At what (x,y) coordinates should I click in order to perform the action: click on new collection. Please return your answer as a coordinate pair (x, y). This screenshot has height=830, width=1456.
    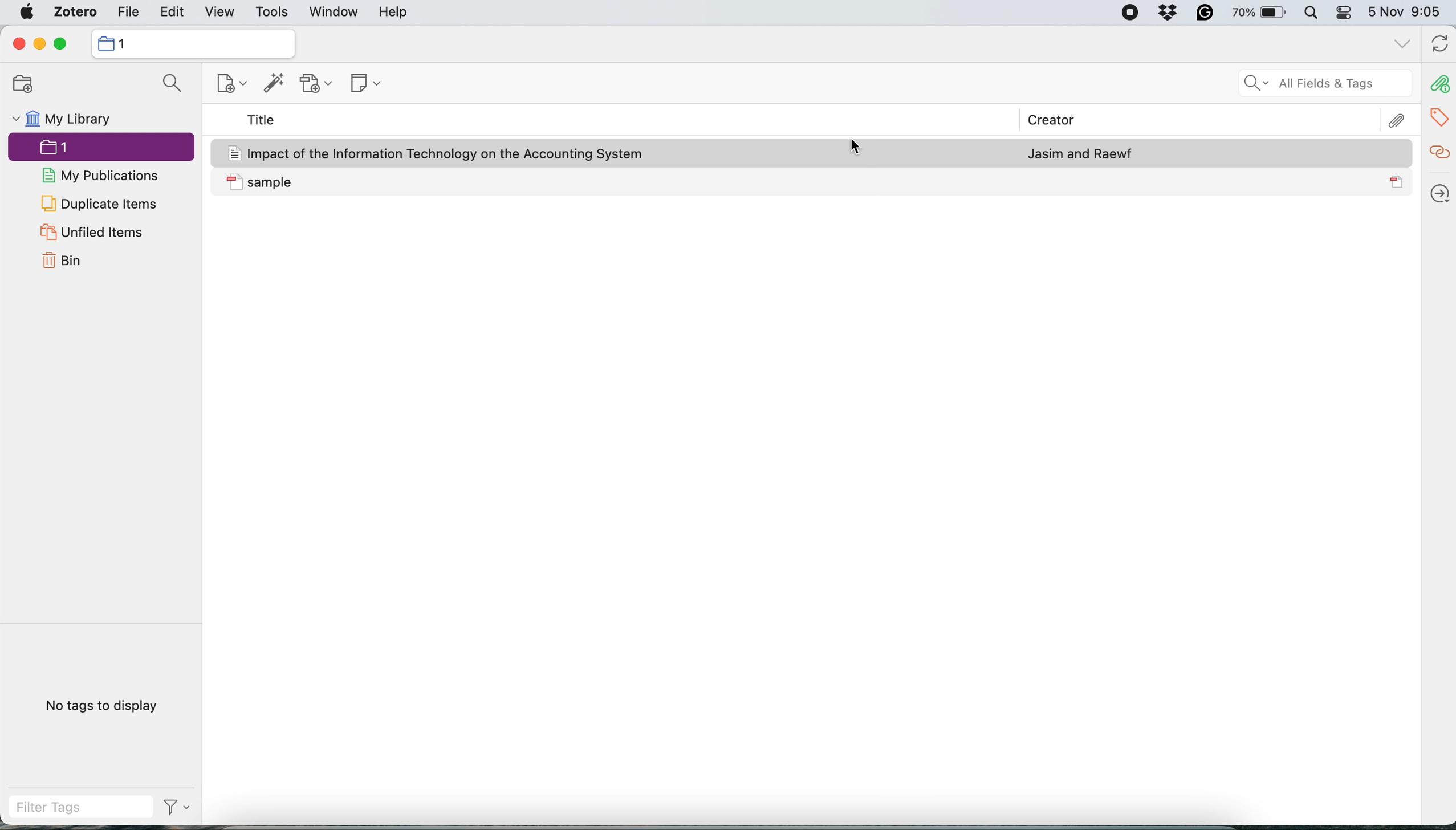
    Looking at the image, I should click on (18, 84).